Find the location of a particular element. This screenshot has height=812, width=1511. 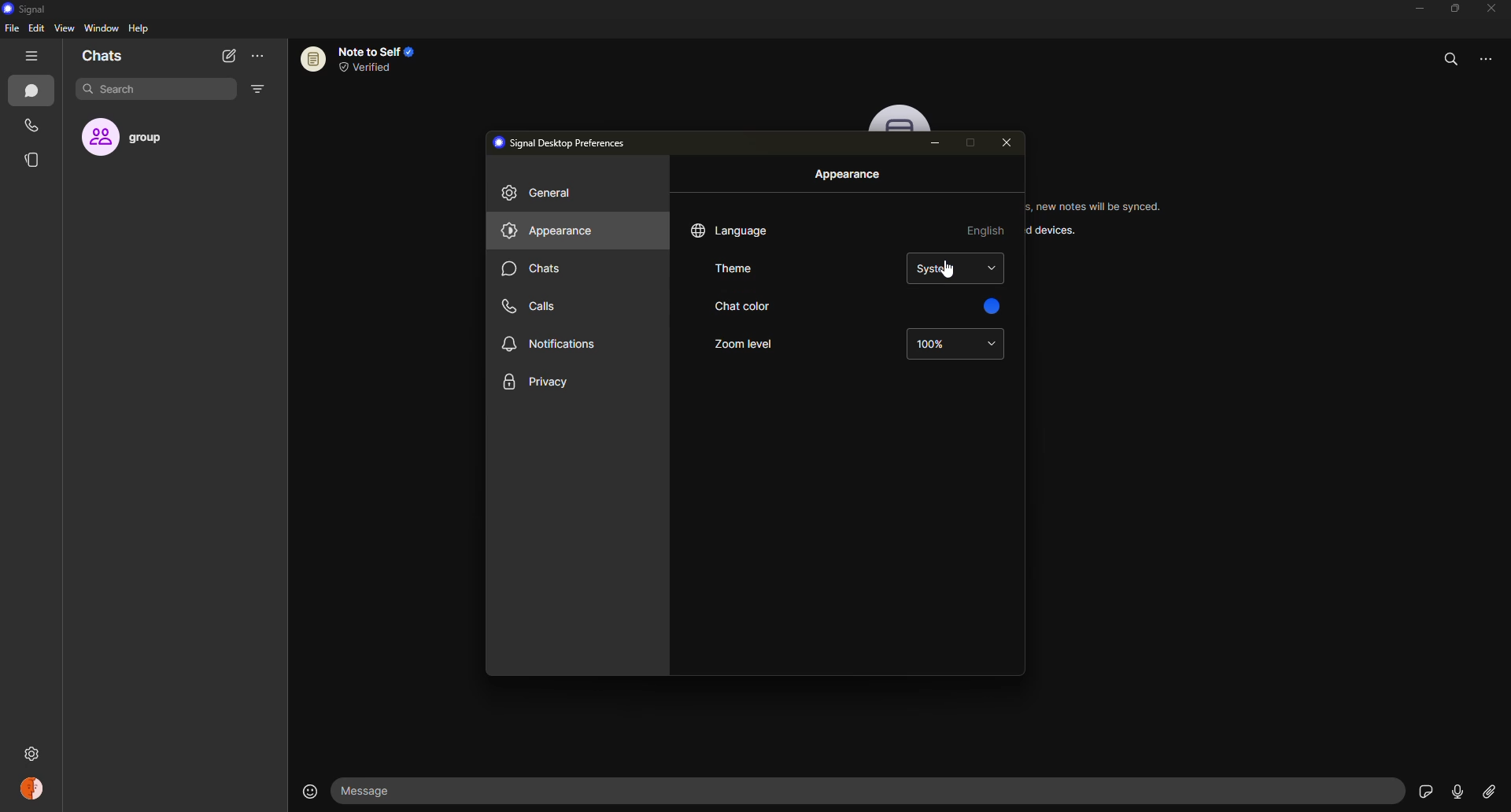

more is located at coordinates (257, 57).